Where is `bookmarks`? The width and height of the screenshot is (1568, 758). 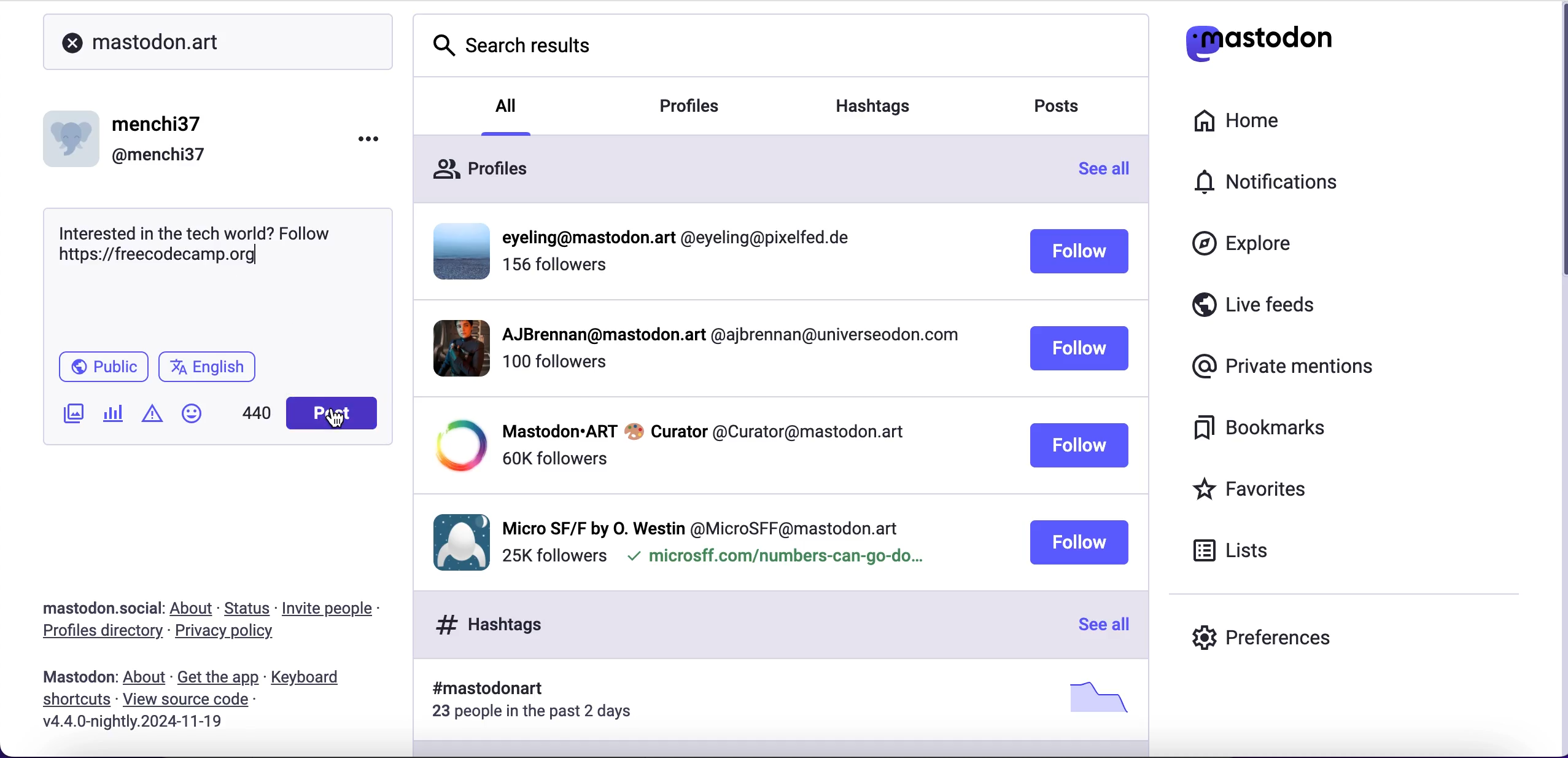
bookmarks is located at coordinates (1257, 427).